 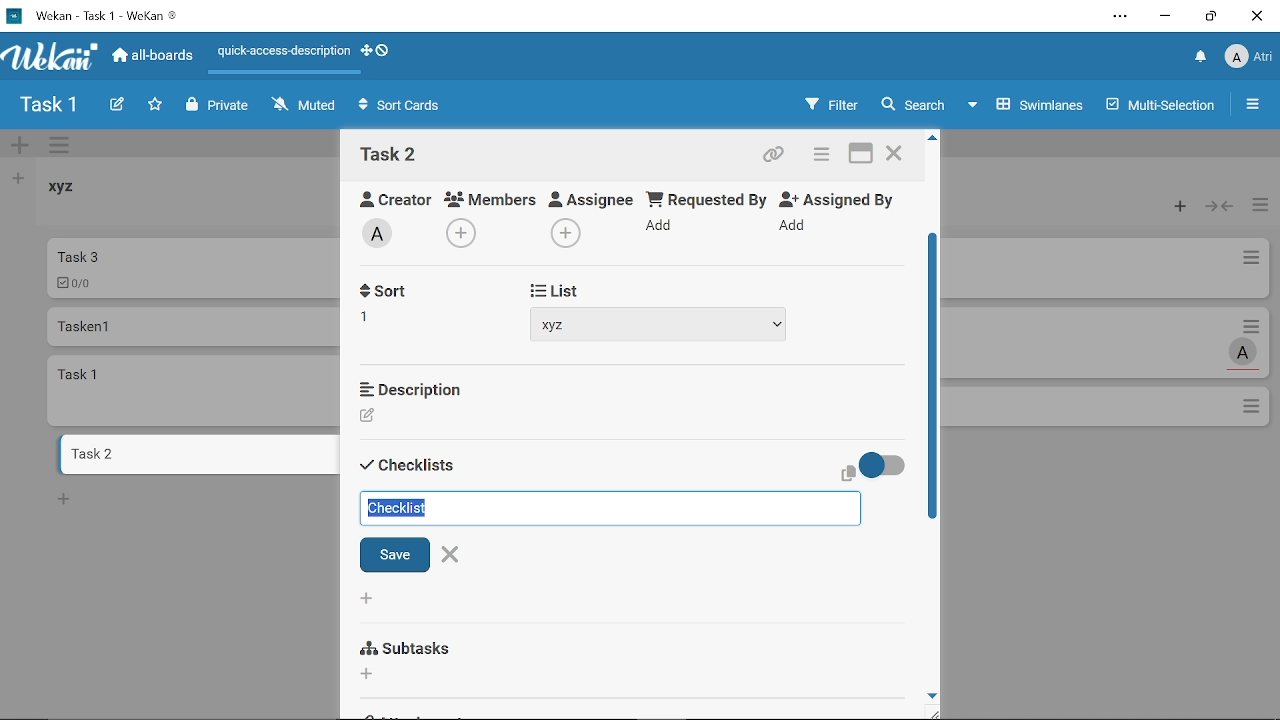 What do you see at coordinates (1260, 207) in the screenshot?
I see `Manage card actions` at bounding box center [1260, 207].